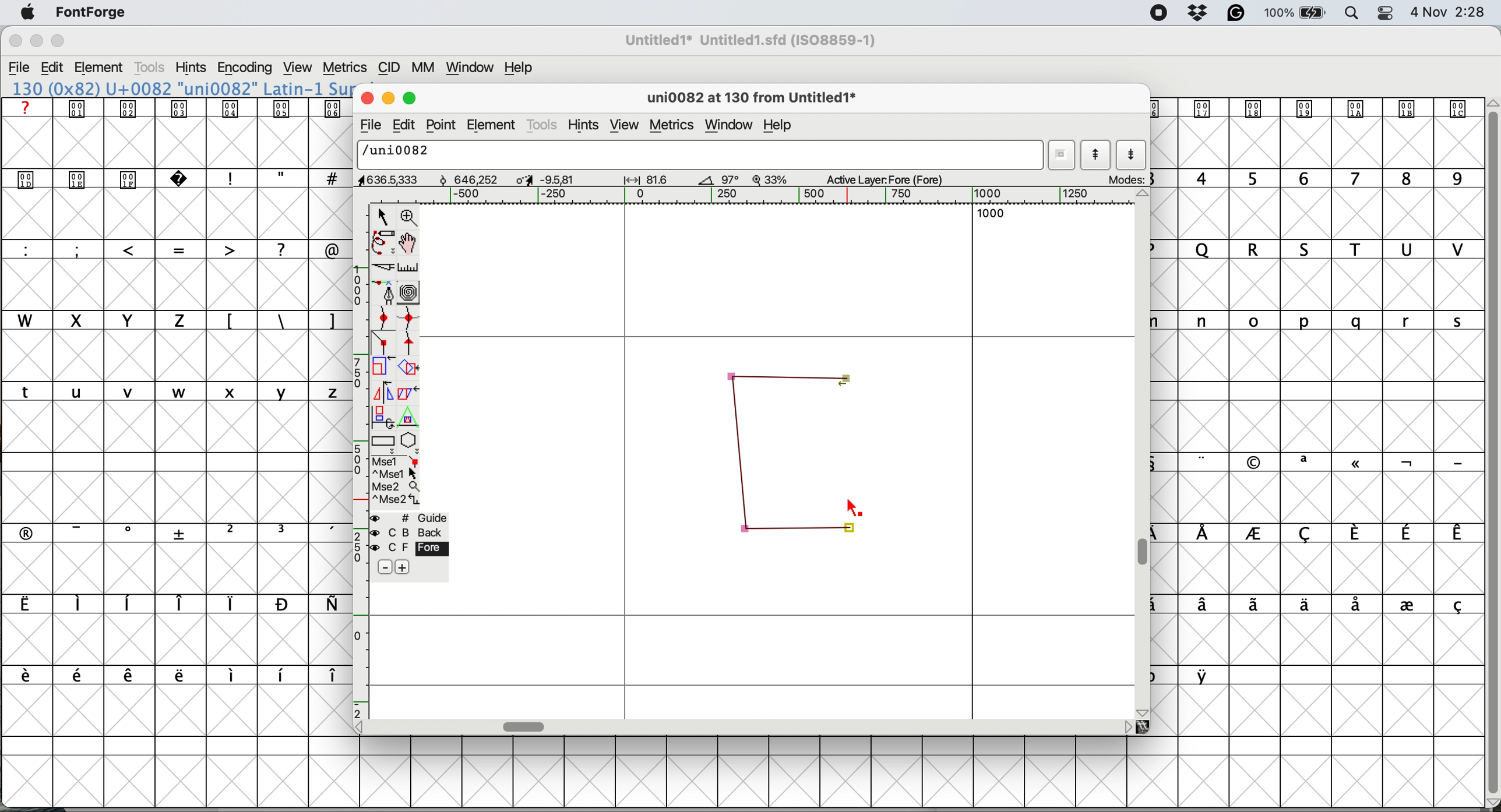  I want to click on point, so click(442, 125).